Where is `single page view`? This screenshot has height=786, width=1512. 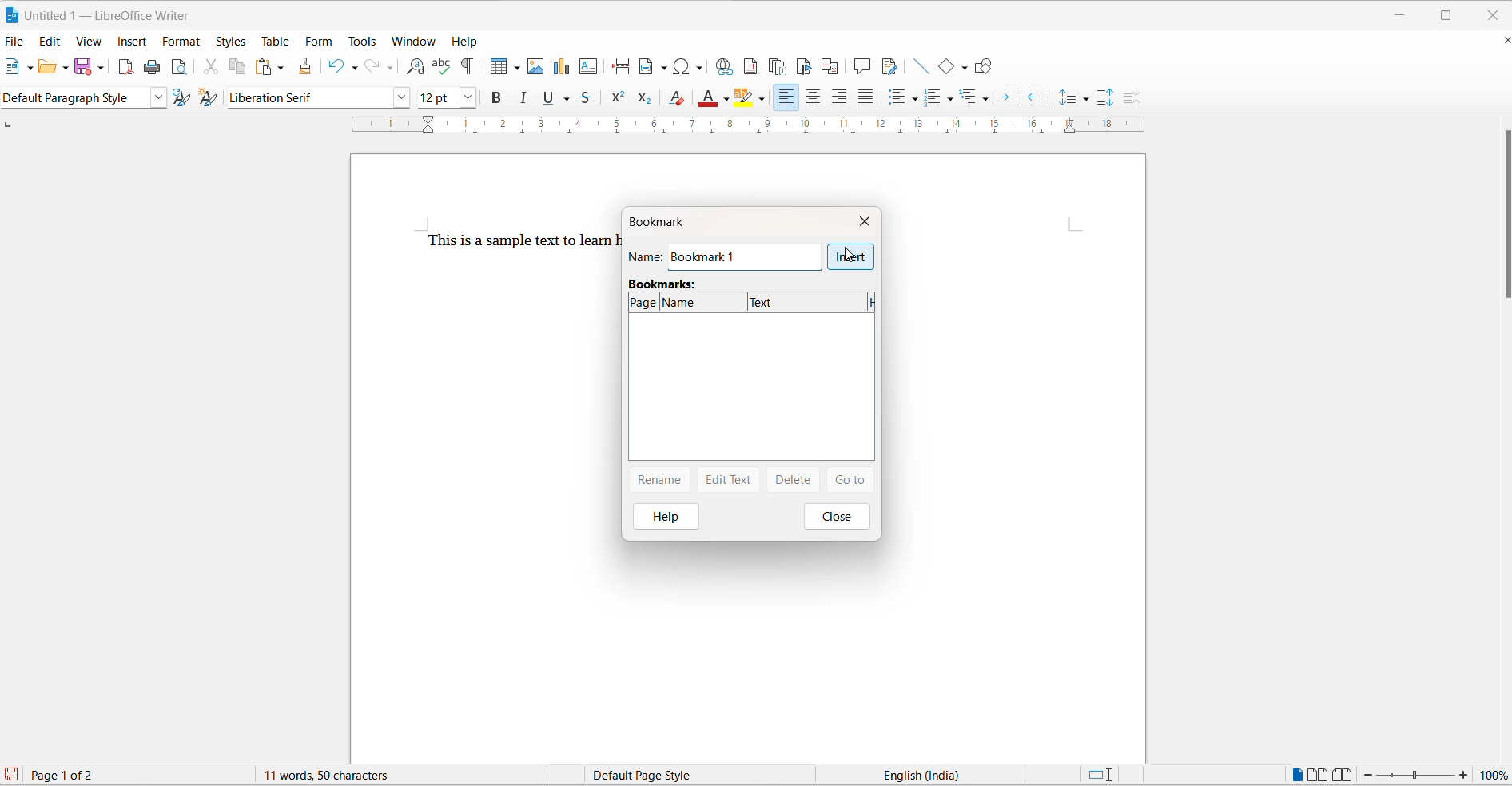 single page view is located at coordinates (1294, 774).